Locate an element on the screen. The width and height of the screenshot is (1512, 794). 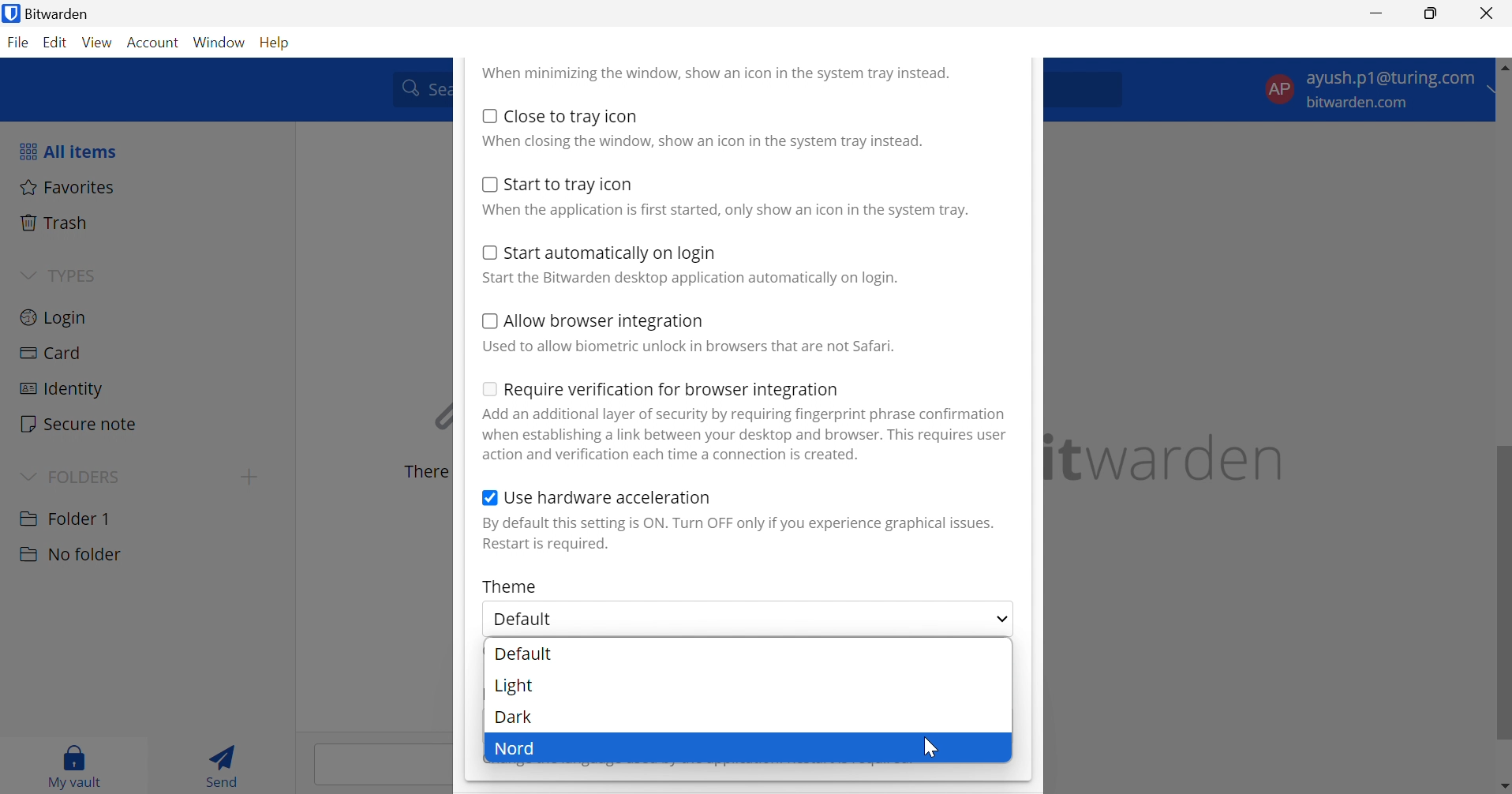
bitwarden is located at coordinates (1169, 458).